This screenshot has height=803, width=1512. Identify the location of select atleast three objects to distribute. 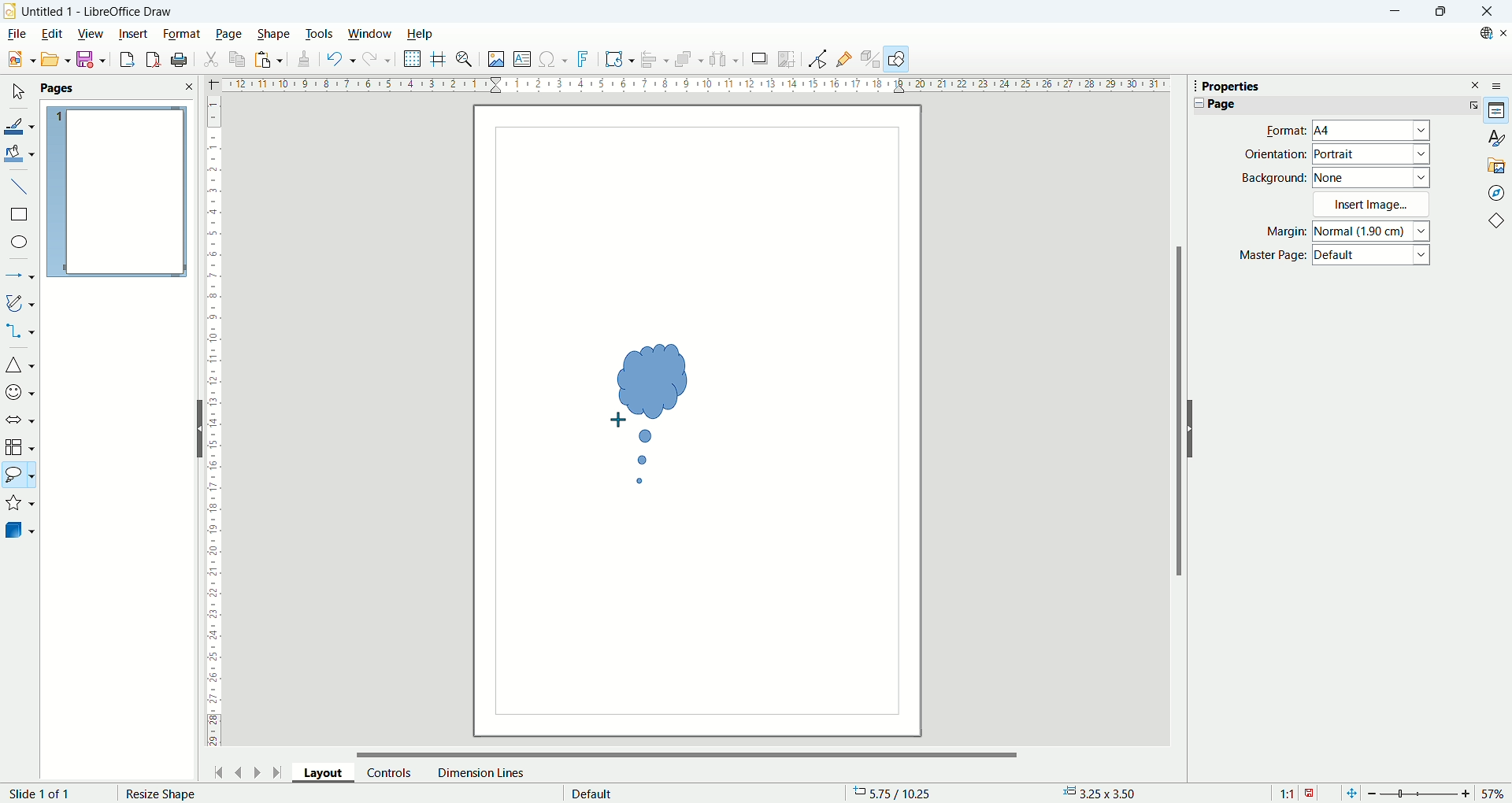
(724, 59).